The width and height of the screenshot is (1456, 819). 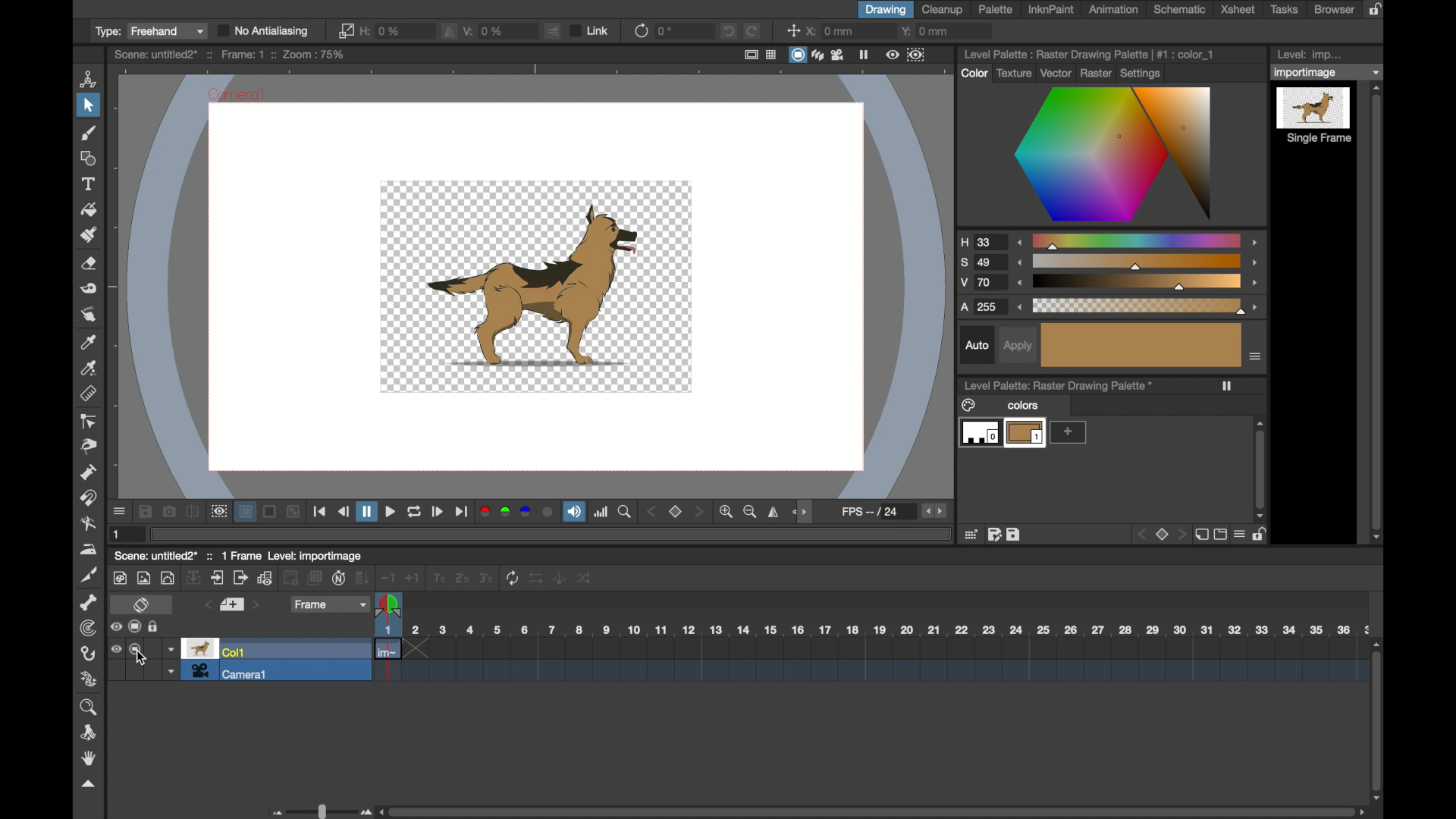 I want to click on front, so click(x=1181, y=534).